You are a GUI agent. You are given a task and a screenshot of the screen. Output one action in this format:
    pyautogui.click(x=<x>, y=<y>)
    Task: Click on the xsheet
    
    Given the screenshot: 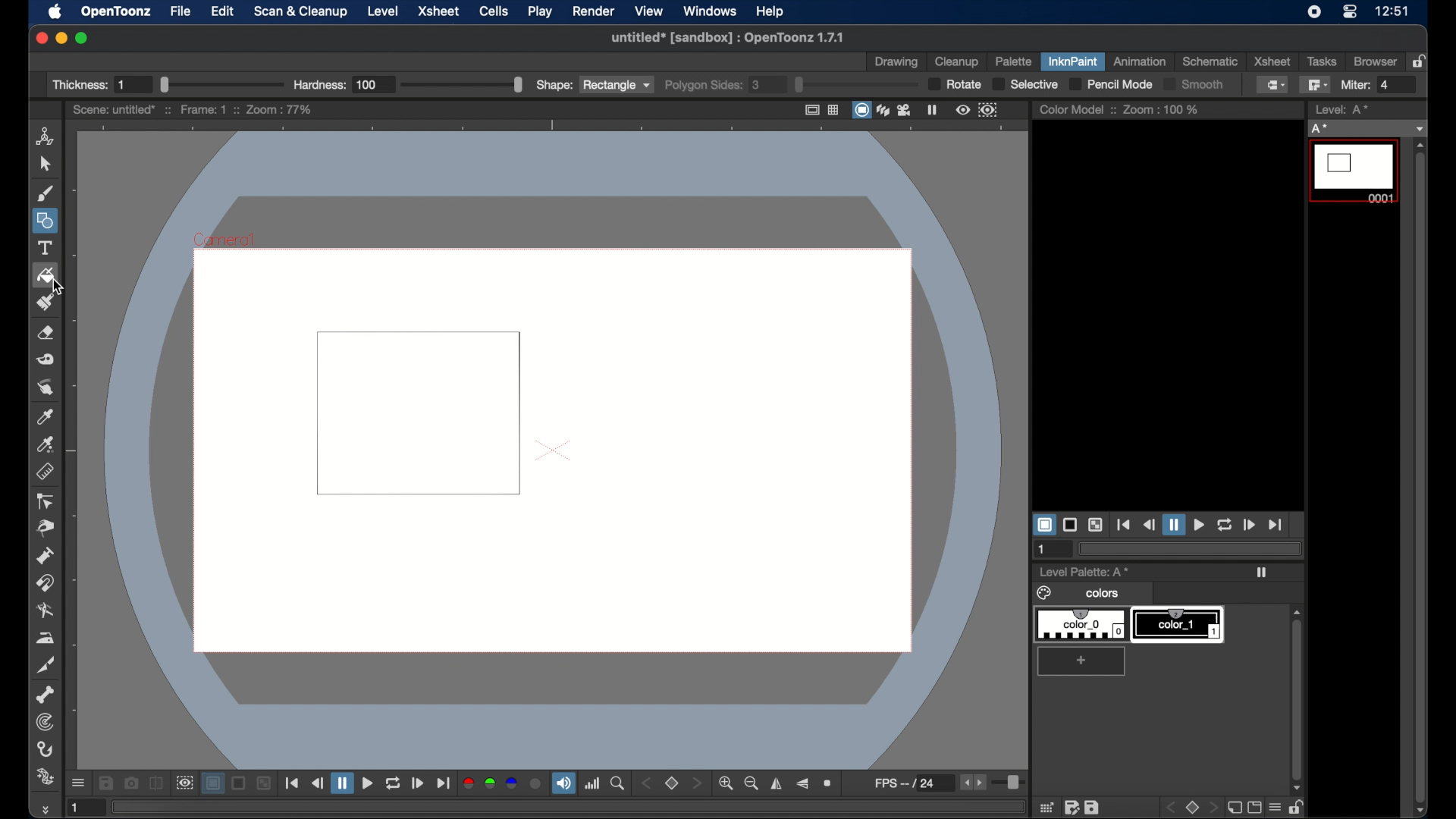 What is the action you would take?
    pyautogui.click(x=1271, y=61)
    